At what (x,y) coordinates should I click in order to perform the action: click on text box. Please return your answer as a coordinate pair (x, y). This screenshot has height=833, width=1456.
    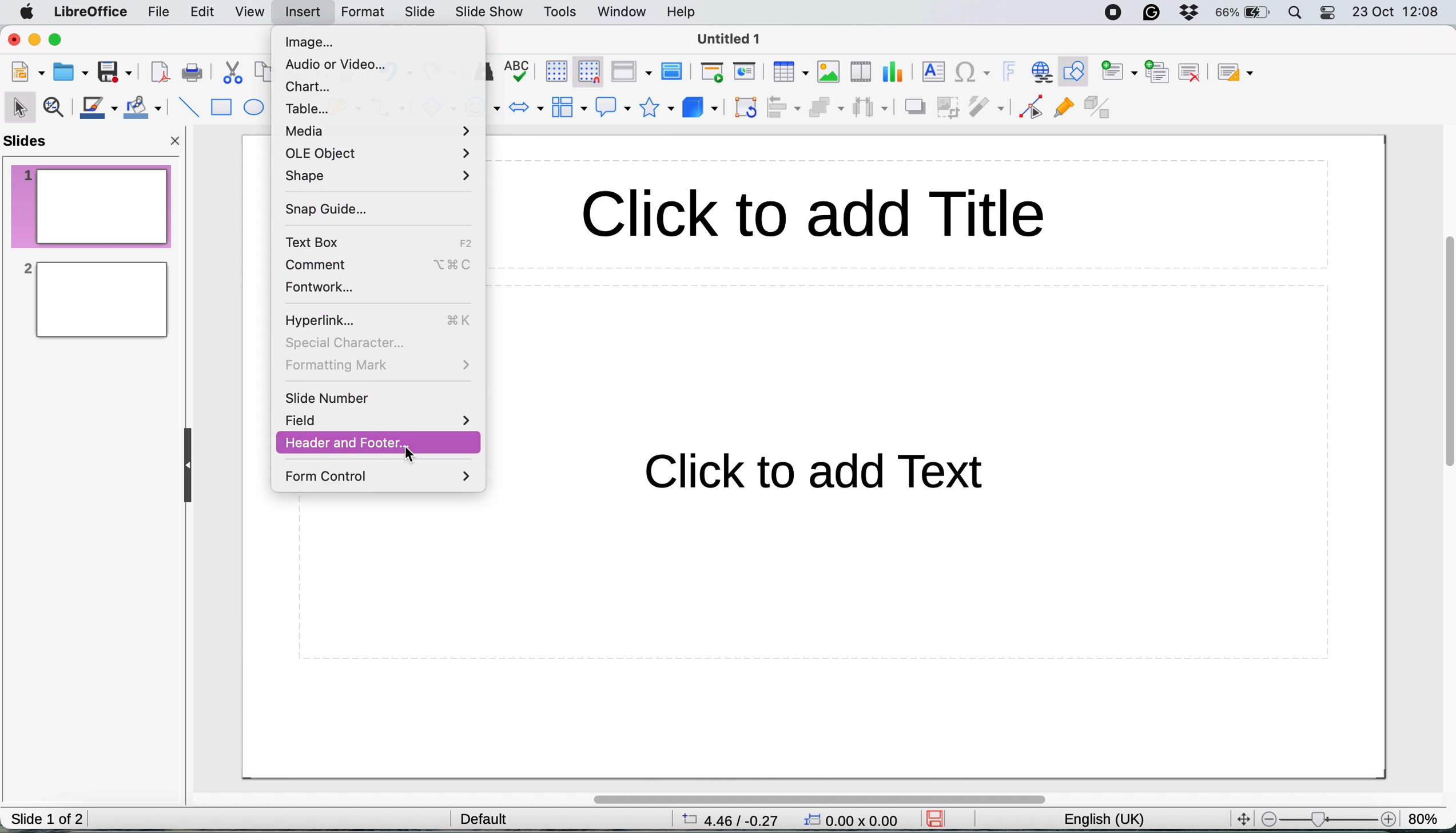
    Looking at the image, I should click on (321, 241).